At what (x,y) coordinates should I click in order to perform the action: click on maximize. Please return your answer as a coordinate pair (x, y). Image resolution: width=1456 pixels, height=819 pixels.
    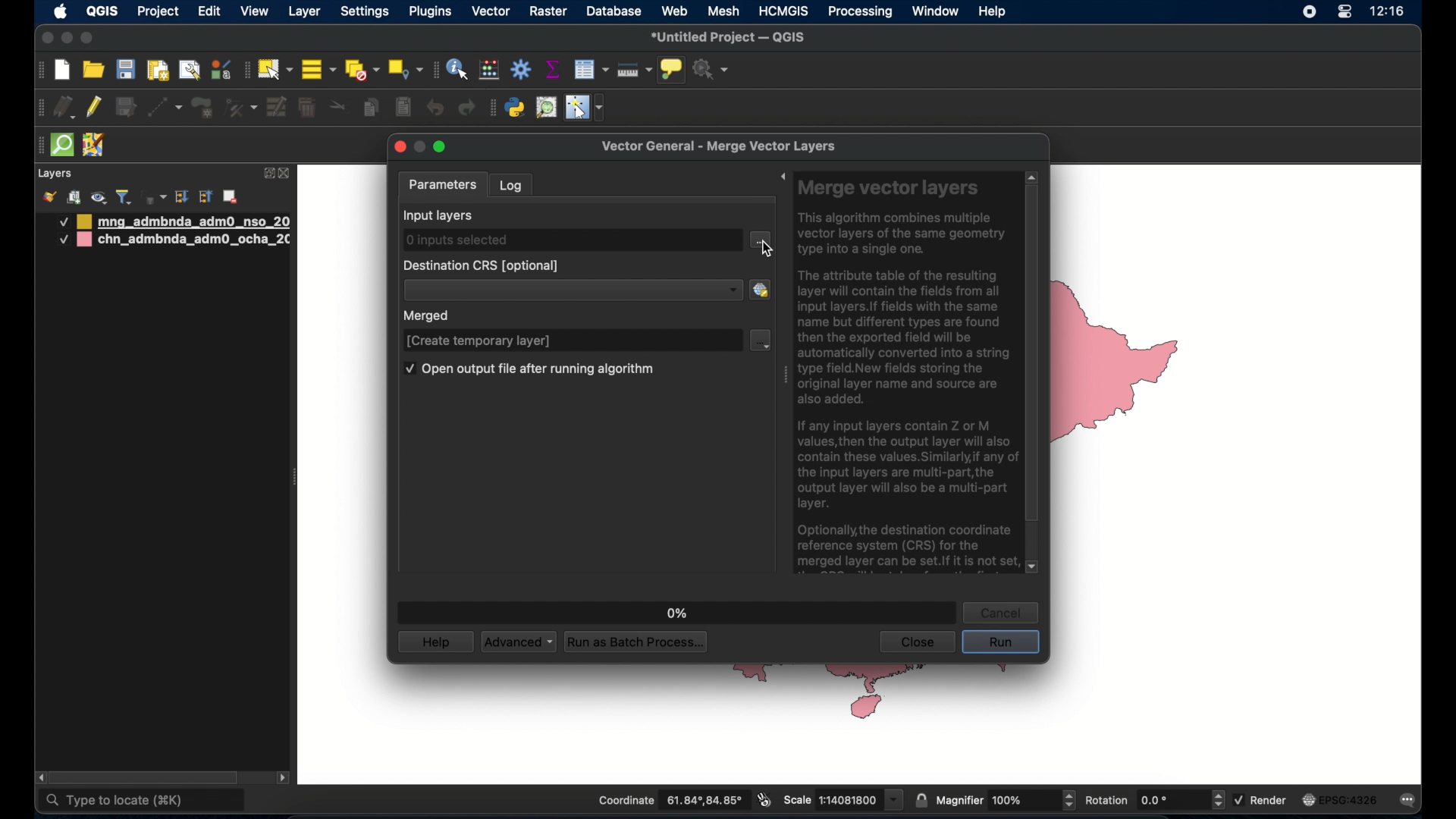
    Looking at the image, I should click on (443, 149).